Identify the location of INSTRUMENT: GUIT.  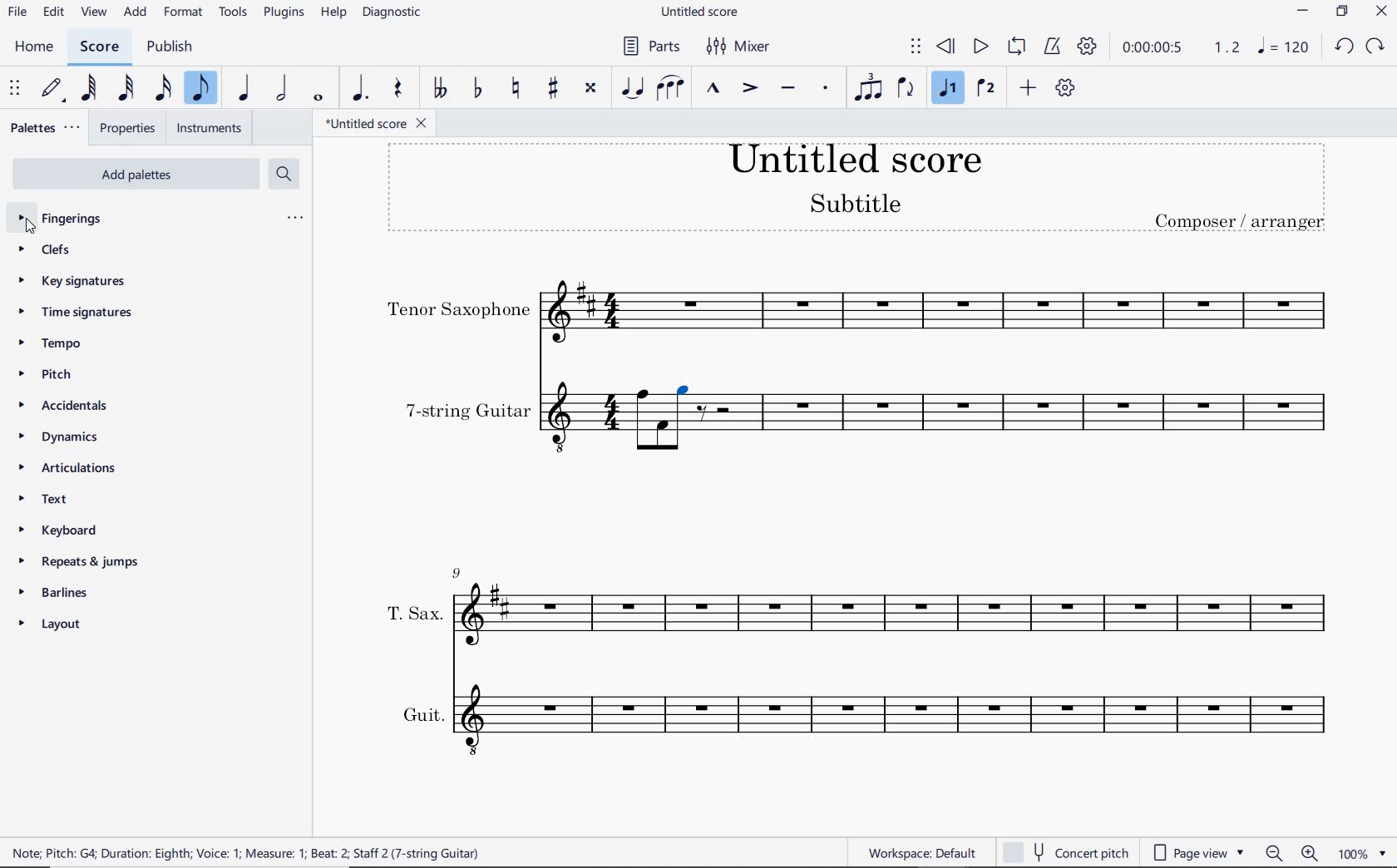
(856, 717).